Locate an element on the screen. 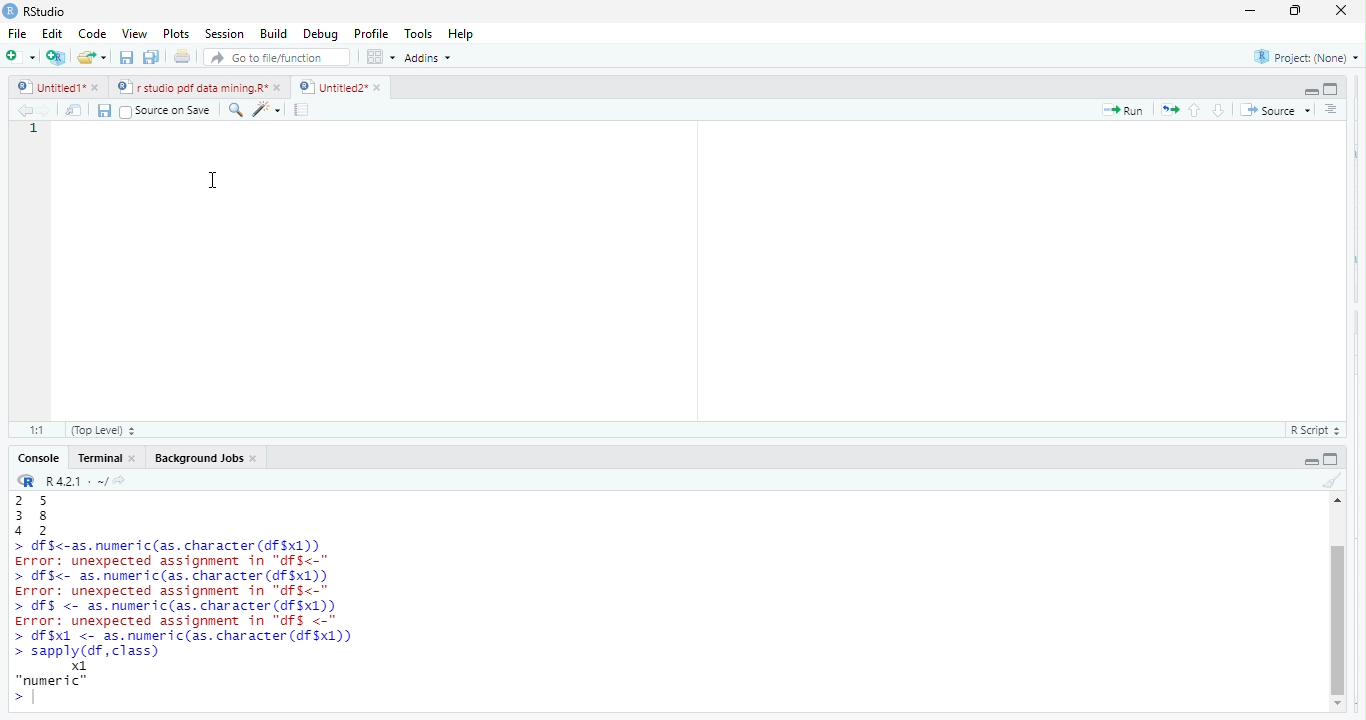  re run the previous code region is located at coordinates (1168, 111).